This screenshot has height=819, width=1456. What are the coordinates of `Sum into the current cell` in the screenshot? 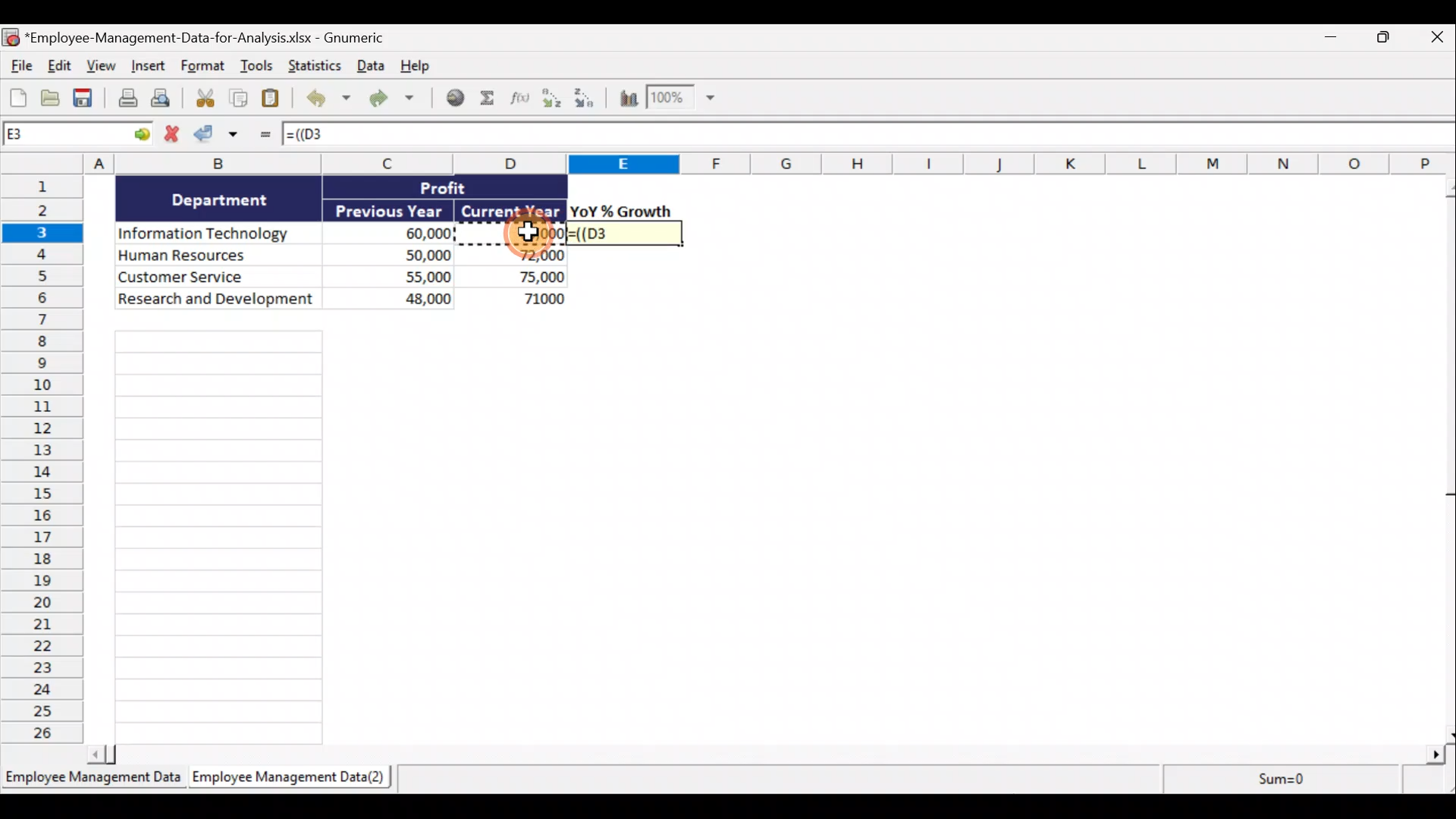 It's located at (491, 99).